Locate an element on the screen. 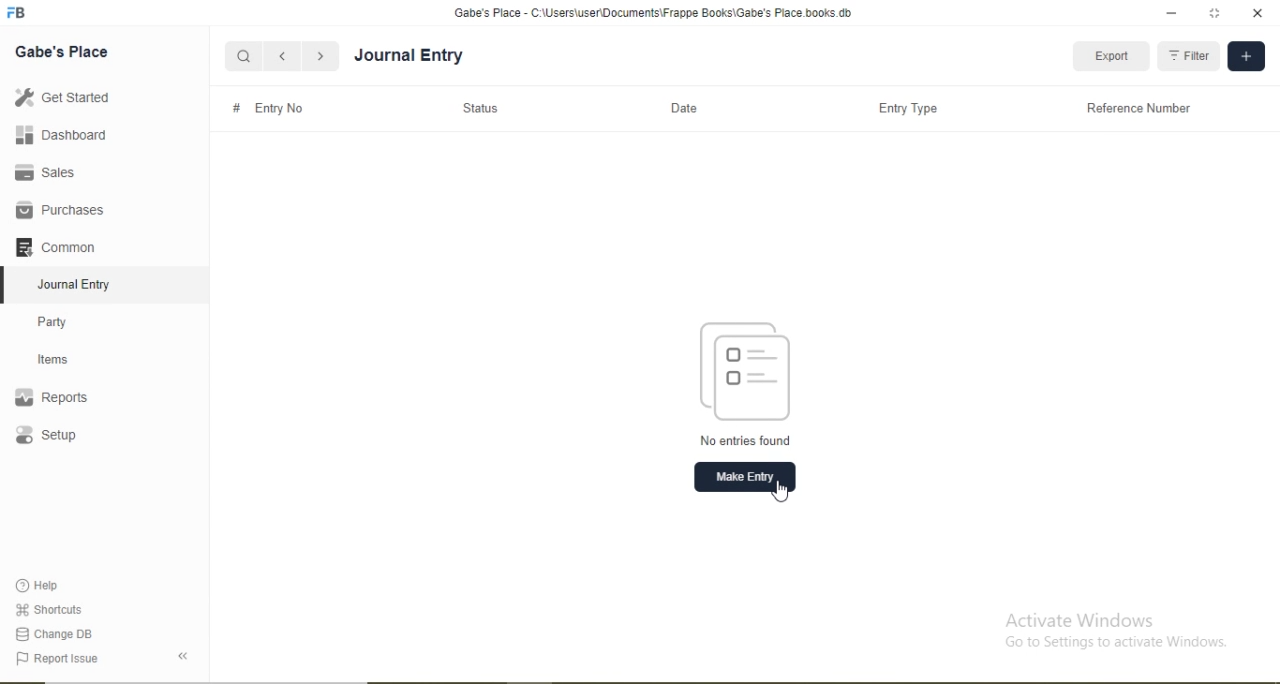 Image resolution: width=1280 pixels, height=684 pixels. selected is located at coordinates (8, 284).